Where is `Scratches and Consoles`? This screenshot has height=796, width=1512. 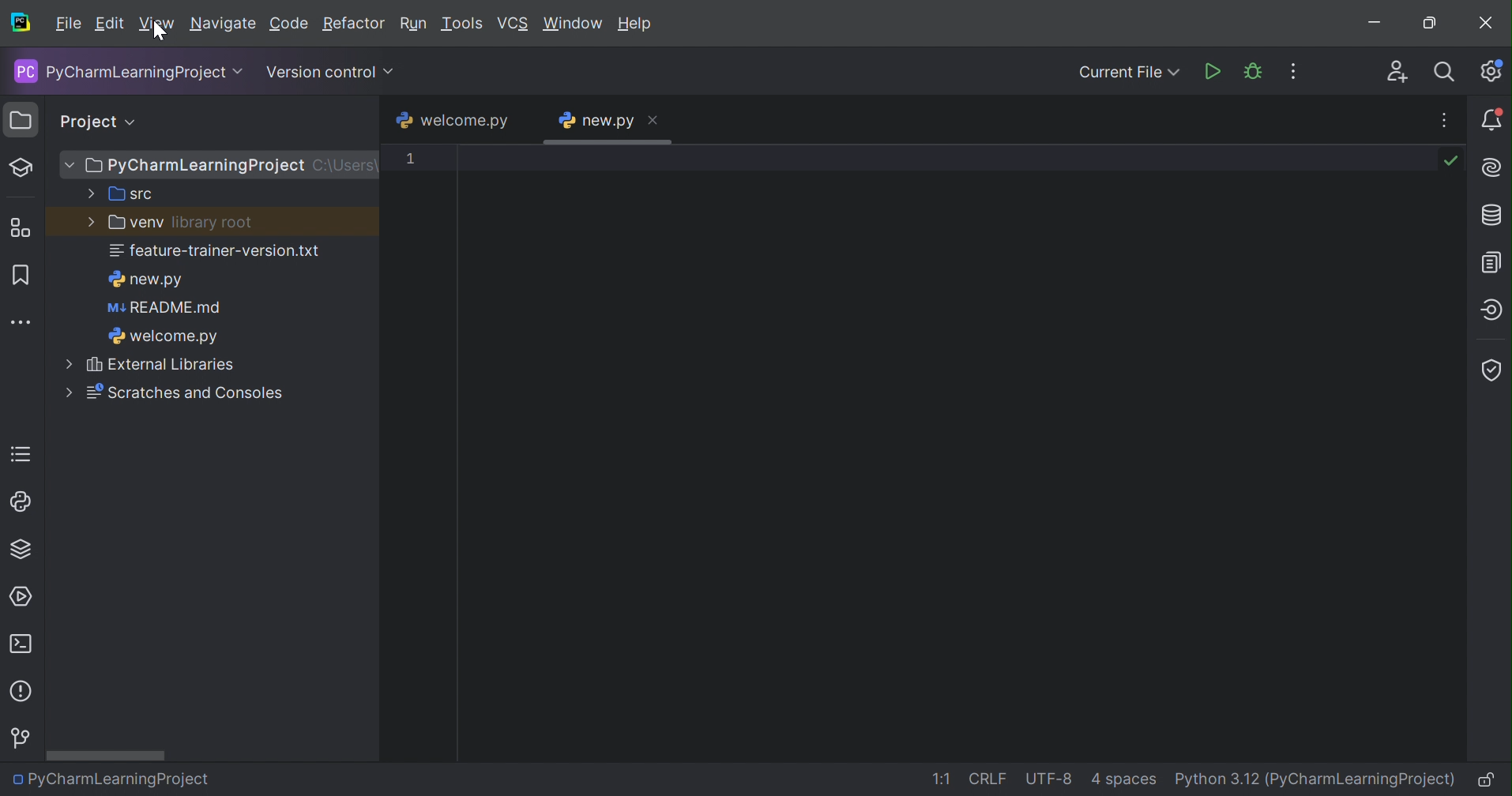 Scratches and Consoles is located at coordinates (168, 392).